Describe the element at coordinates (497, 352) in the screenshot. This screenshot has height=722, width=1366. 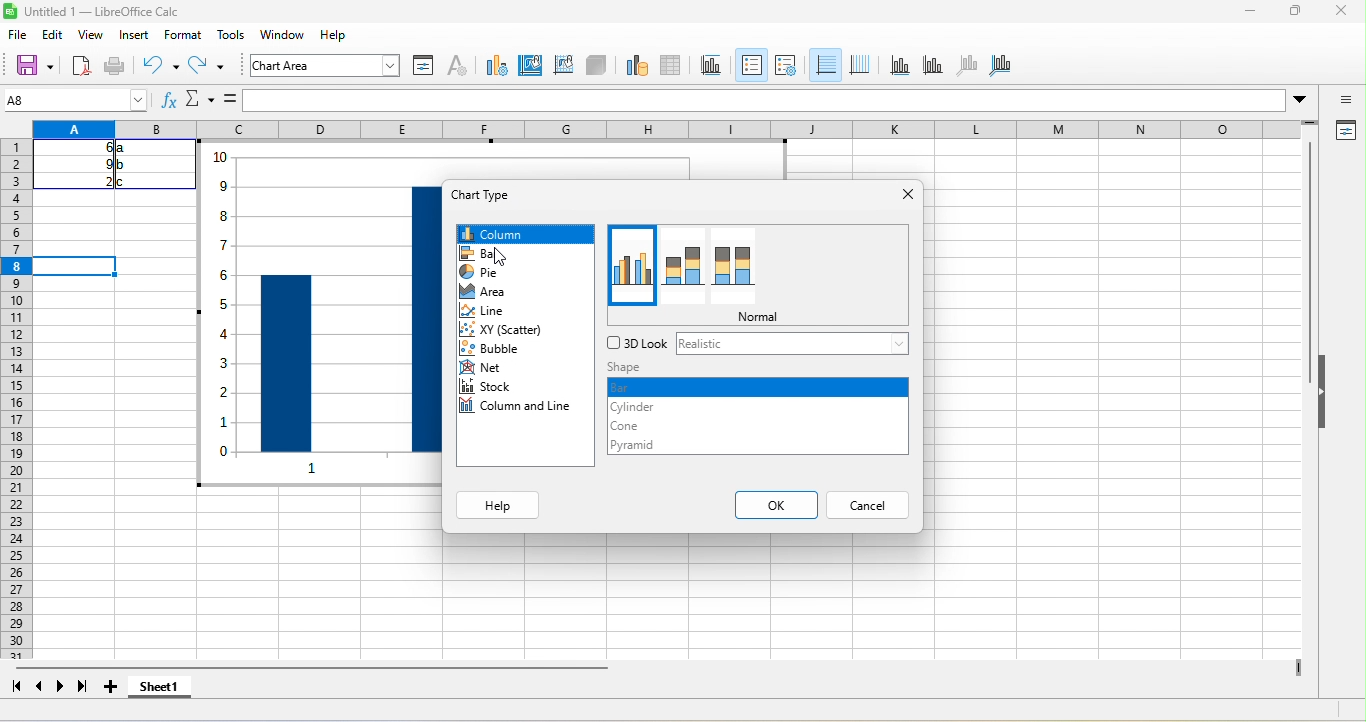
I see `bubble` at that location.